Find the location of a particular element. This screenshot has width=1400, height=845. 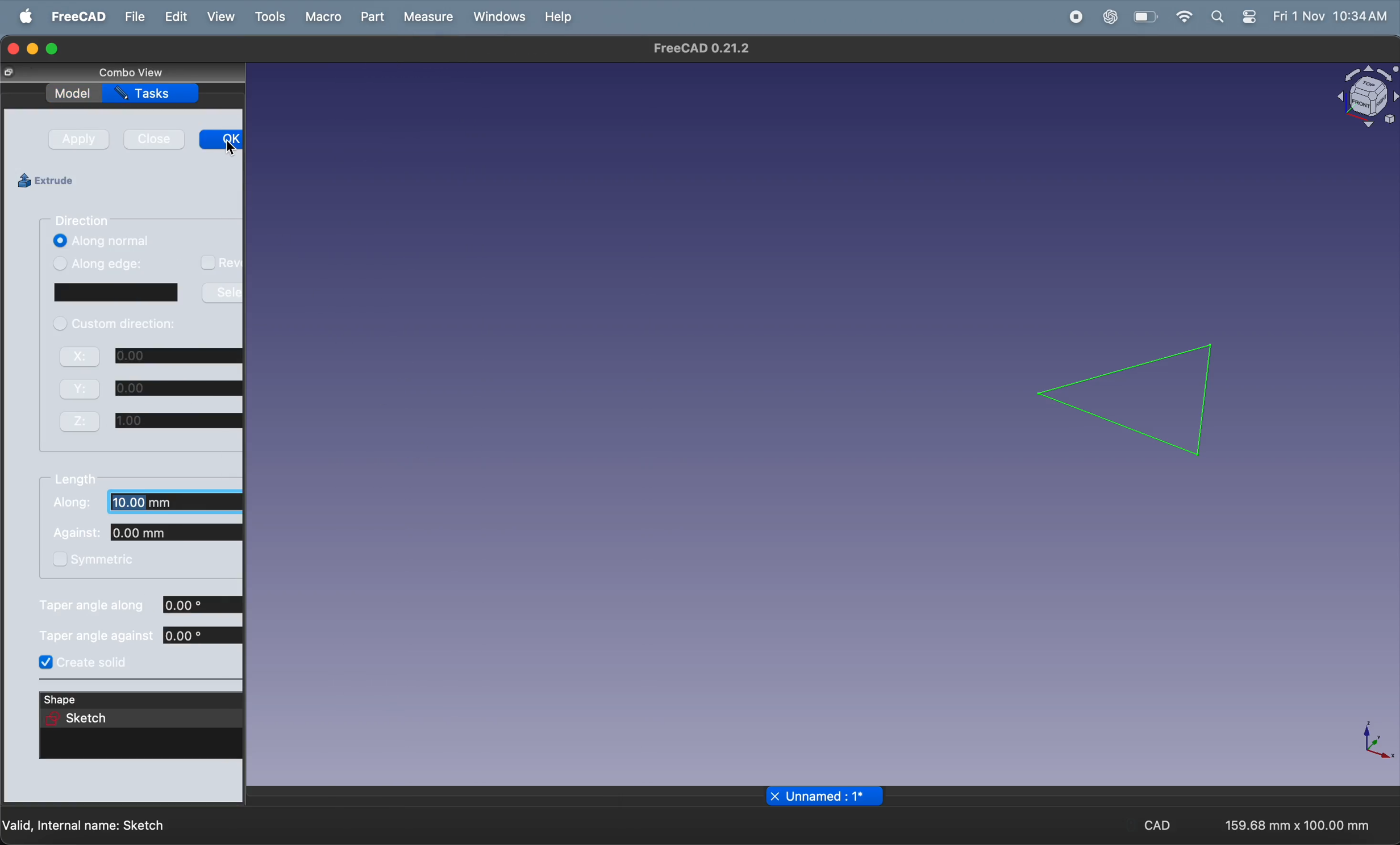

Checked checkbox  is located at coordinates (45, 662).